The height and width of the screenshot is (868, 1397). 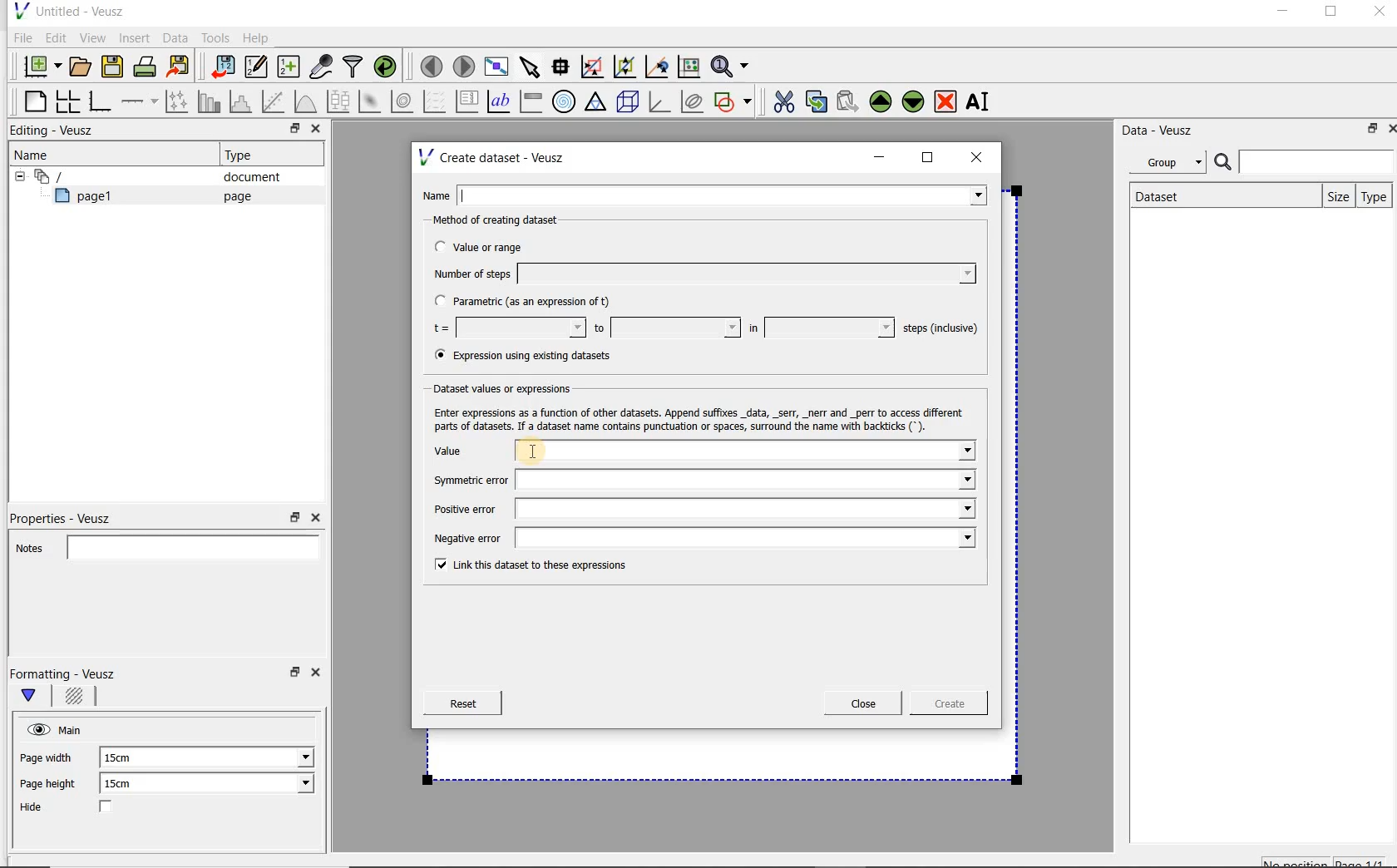 What do you see at coordinates (1375, 196) in the screenshot?
I see `Type` at bounding box center [1375, 196].